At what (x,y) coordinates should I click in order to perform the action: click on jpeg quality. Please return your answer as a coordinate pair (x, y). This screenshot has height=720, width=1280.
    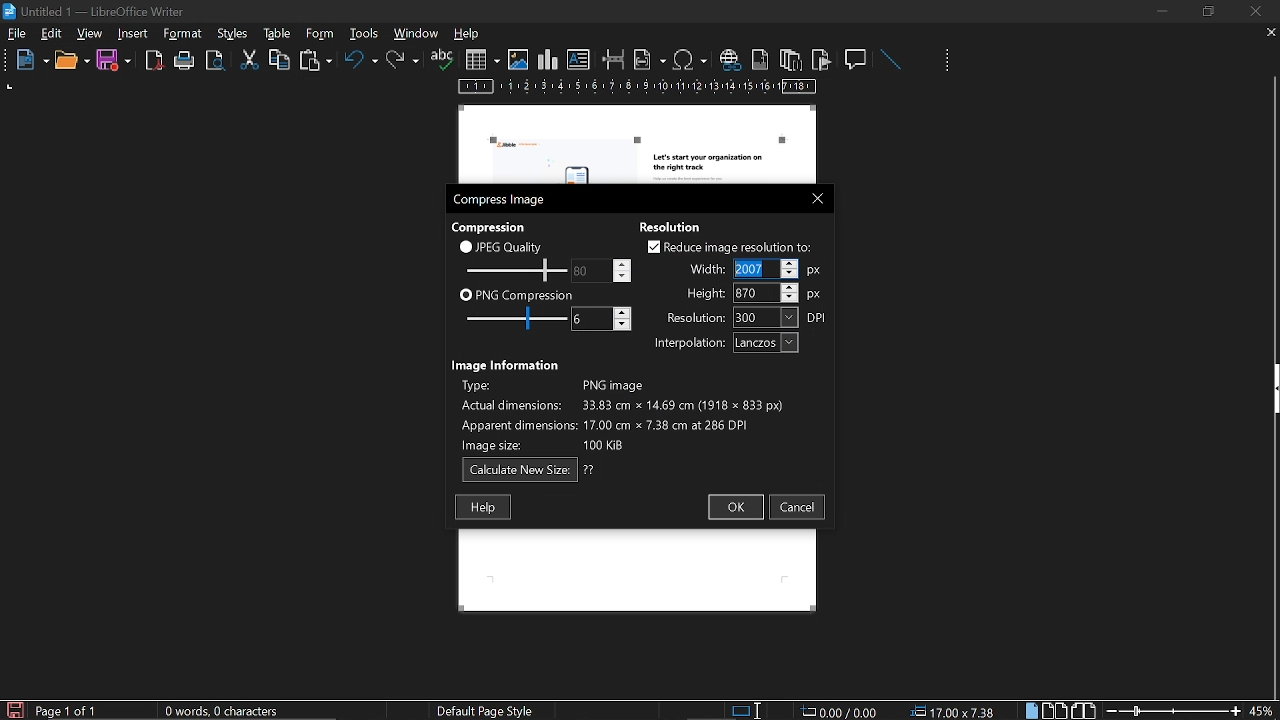
    Looking at the image, I should click on (502, 246).